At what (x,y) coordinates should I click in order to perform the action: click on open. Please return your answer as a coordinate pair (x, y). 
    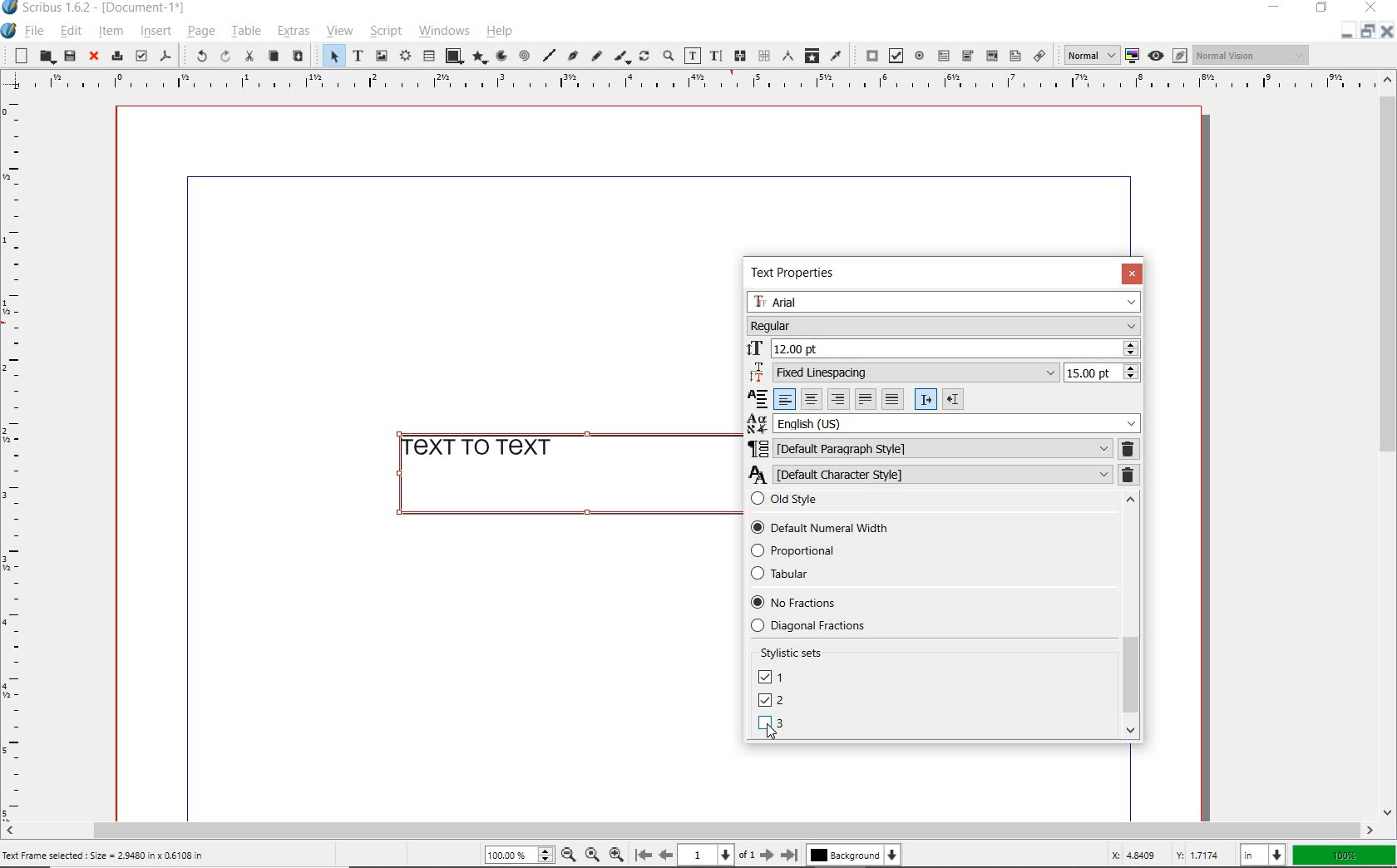
    Looking at the image, I should click on (46, 57).